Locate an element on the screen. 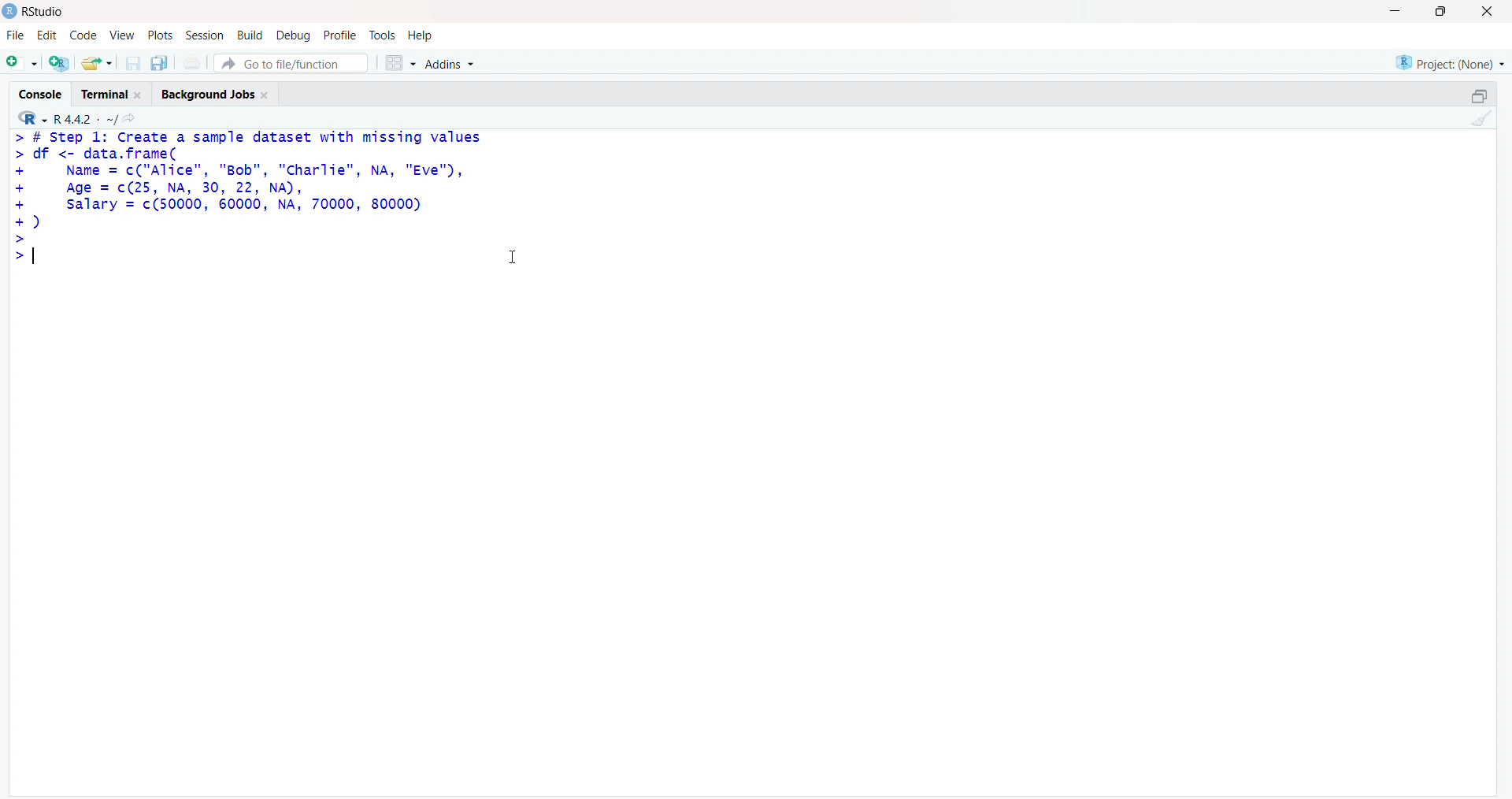 This screenshot has width=1512, height=799. Posts is located at coordinates (160, 34).